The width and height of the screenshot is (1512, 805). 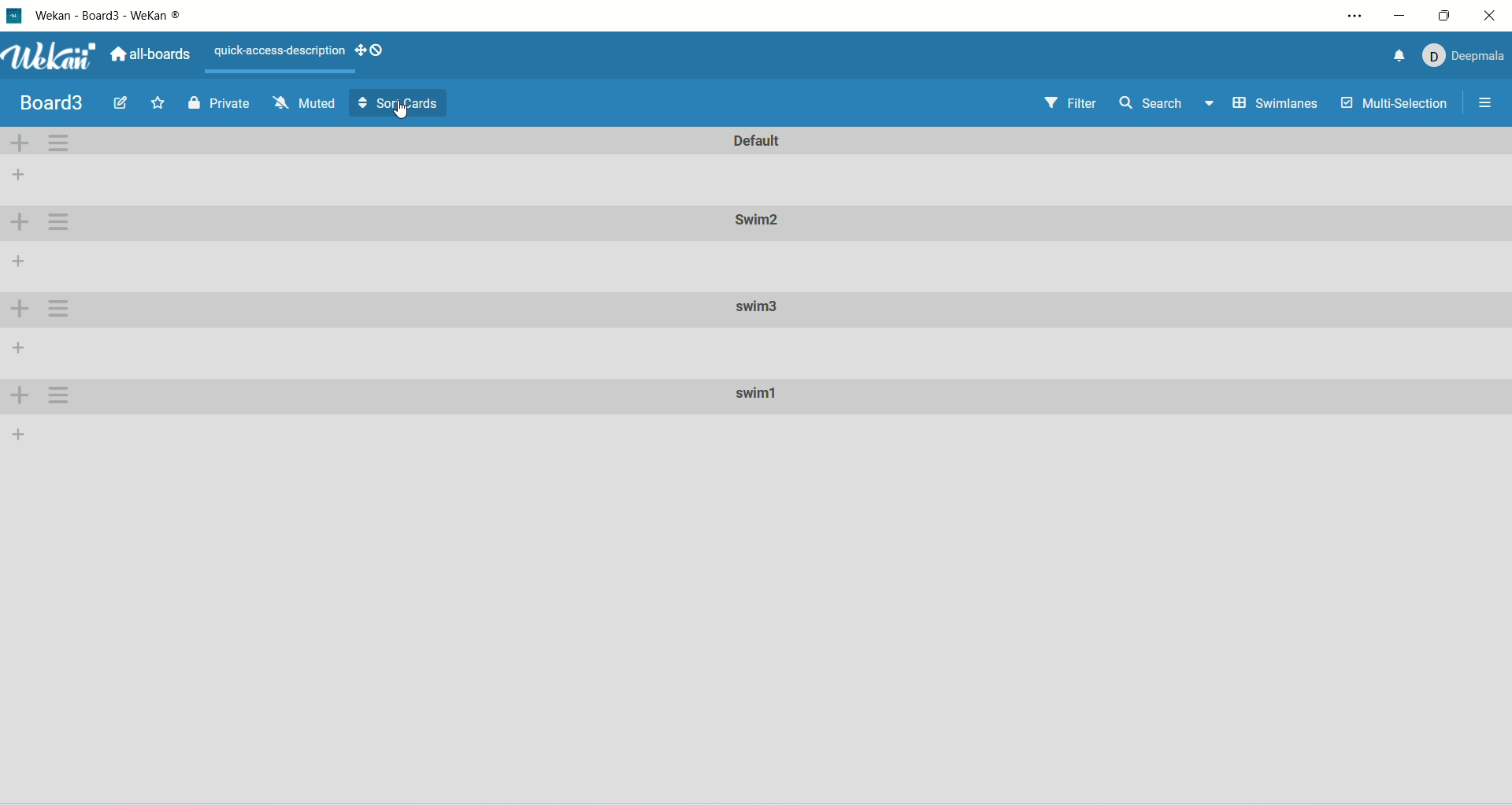 I want to click on add list, so click(x=17, y=344).